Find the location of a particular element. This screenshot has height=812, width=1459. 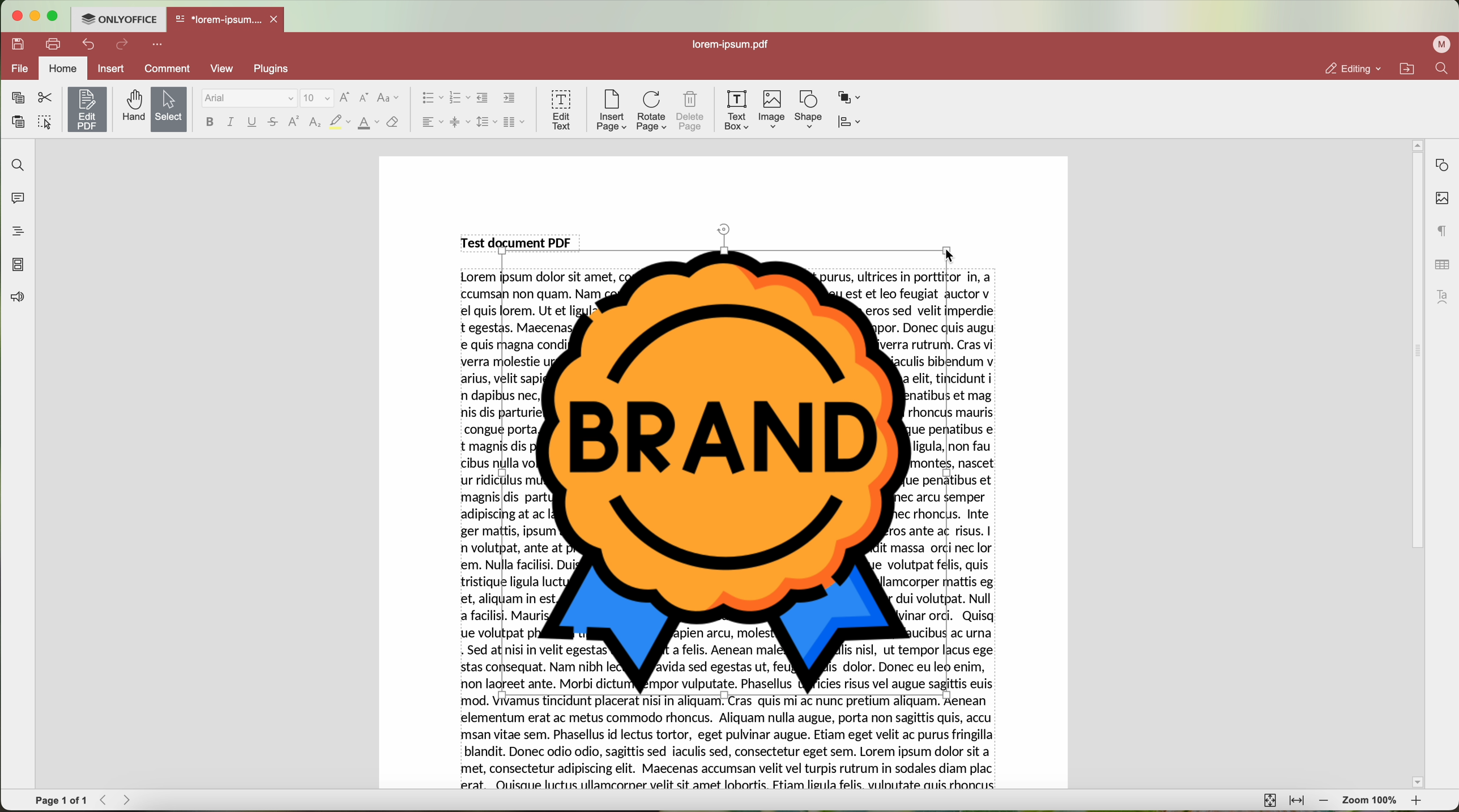

insert columns is located at coordinates (515, 123).